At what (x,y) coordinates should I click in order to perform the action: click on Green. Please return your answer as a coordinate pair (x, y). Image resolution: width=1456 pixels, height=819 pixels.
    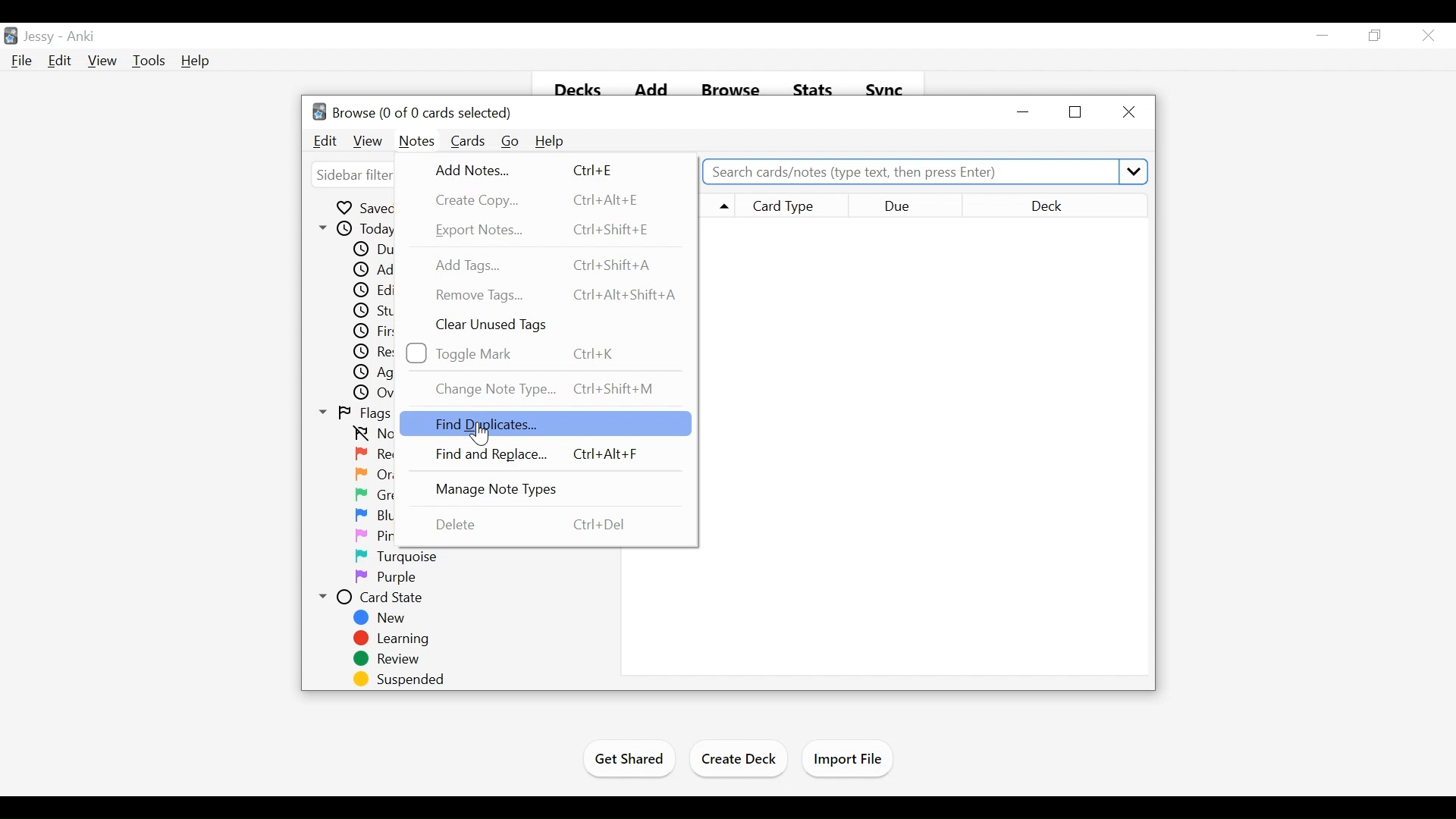
    Looking at the image, I should click on (384, 495).